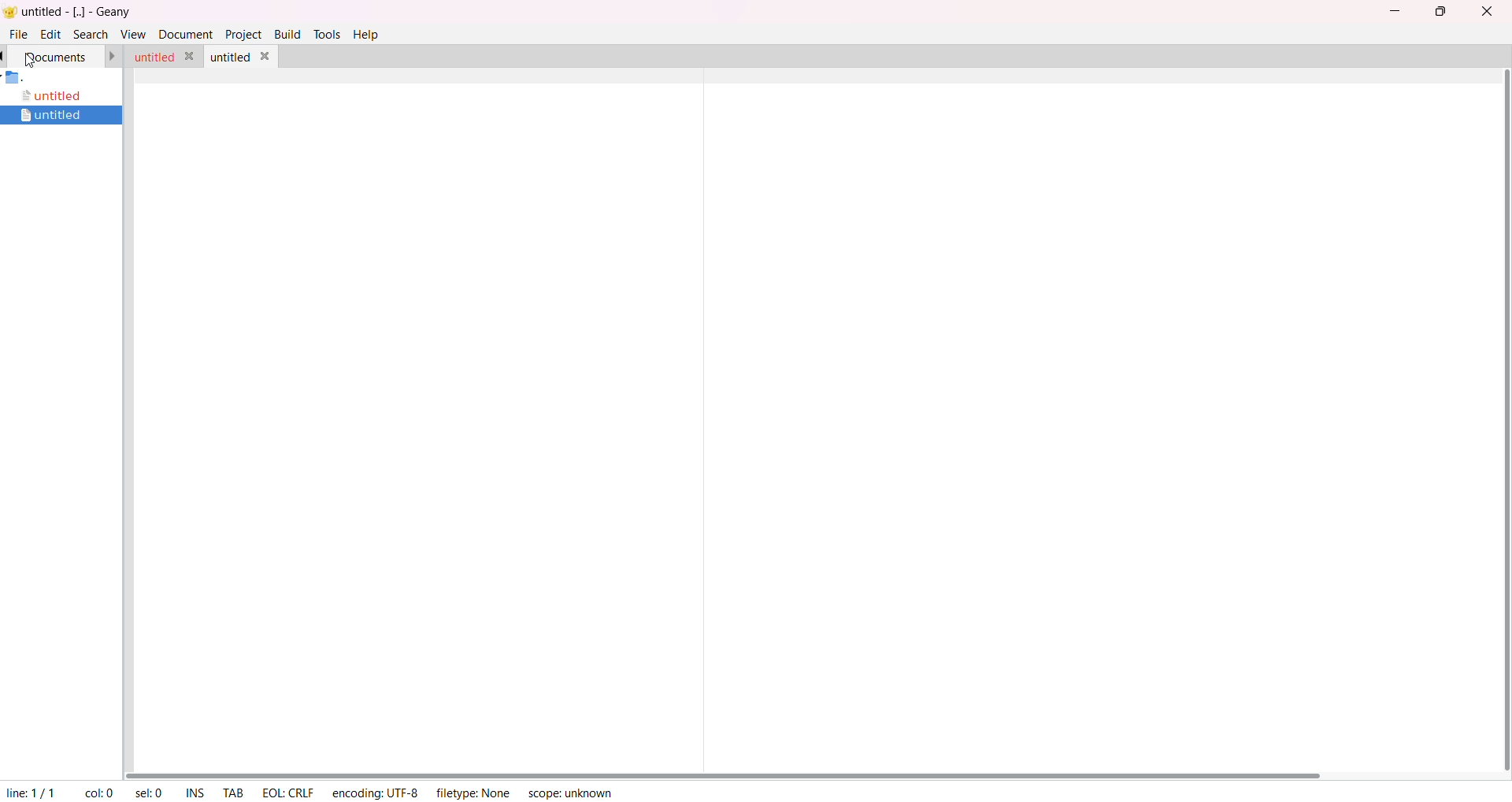  What do you see at coordinates (295, 792) in the screenshot?
I see `EOL: CRLF` at bounding box center [295, 792].